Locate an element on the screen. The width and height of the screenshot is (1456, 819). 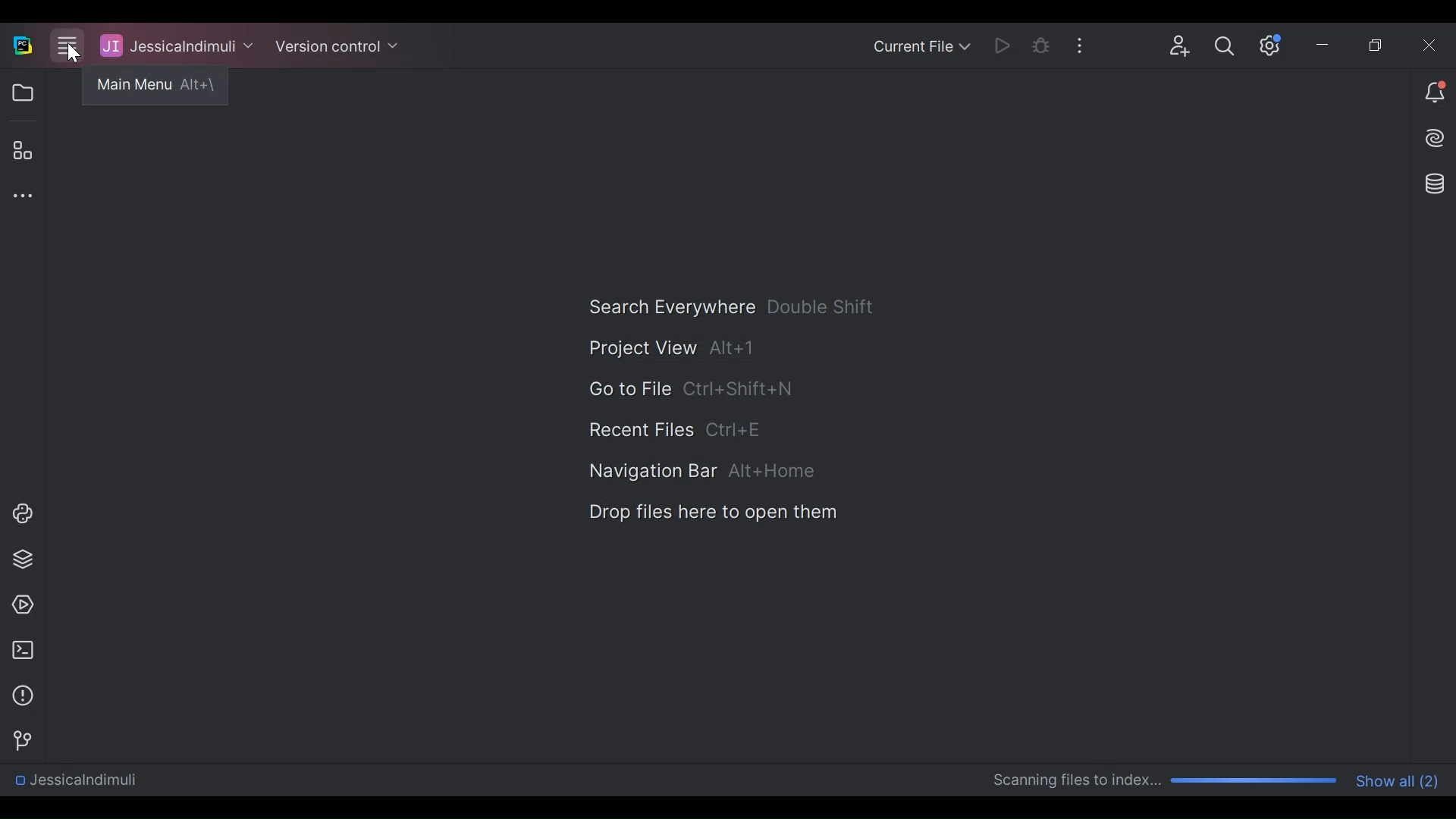
Scanning Progress is located at coordinates (1166, 781).